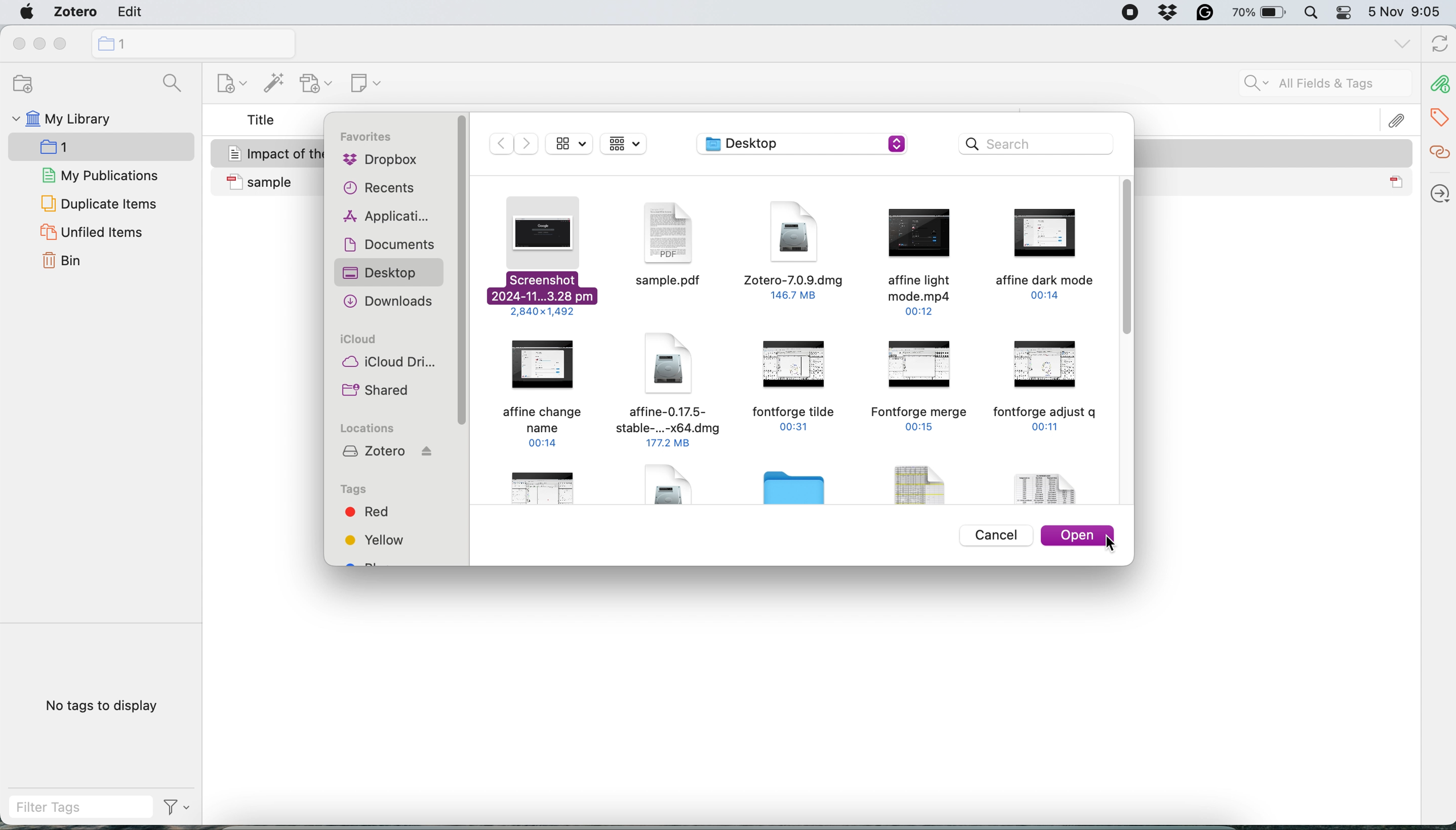 This screenshot has height=830, width=1456. I want to click on attachements, so click(1438, 84).